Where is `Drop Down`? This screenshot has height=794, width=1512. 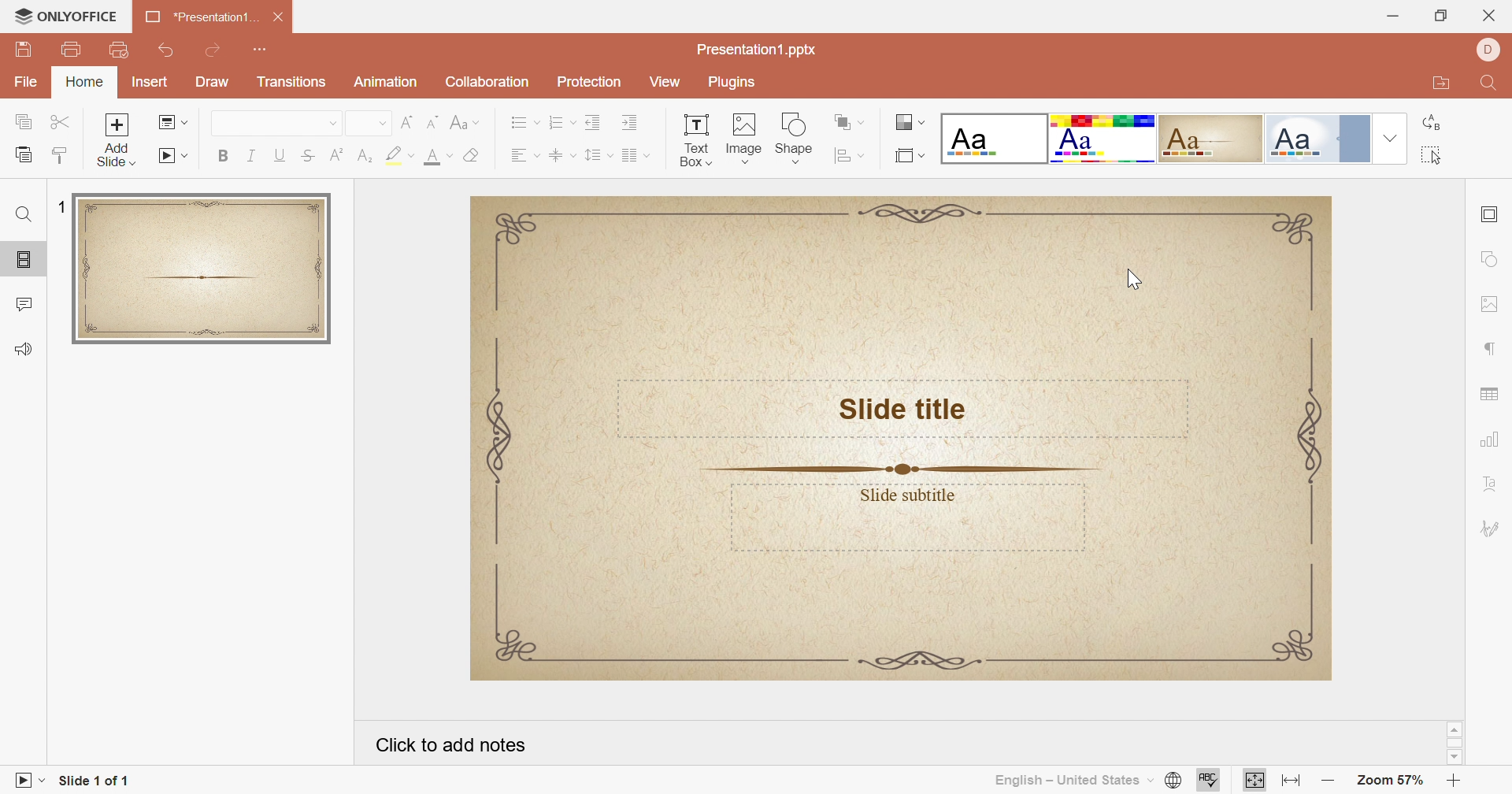
Drop Down is located at coordinates (449, 154).